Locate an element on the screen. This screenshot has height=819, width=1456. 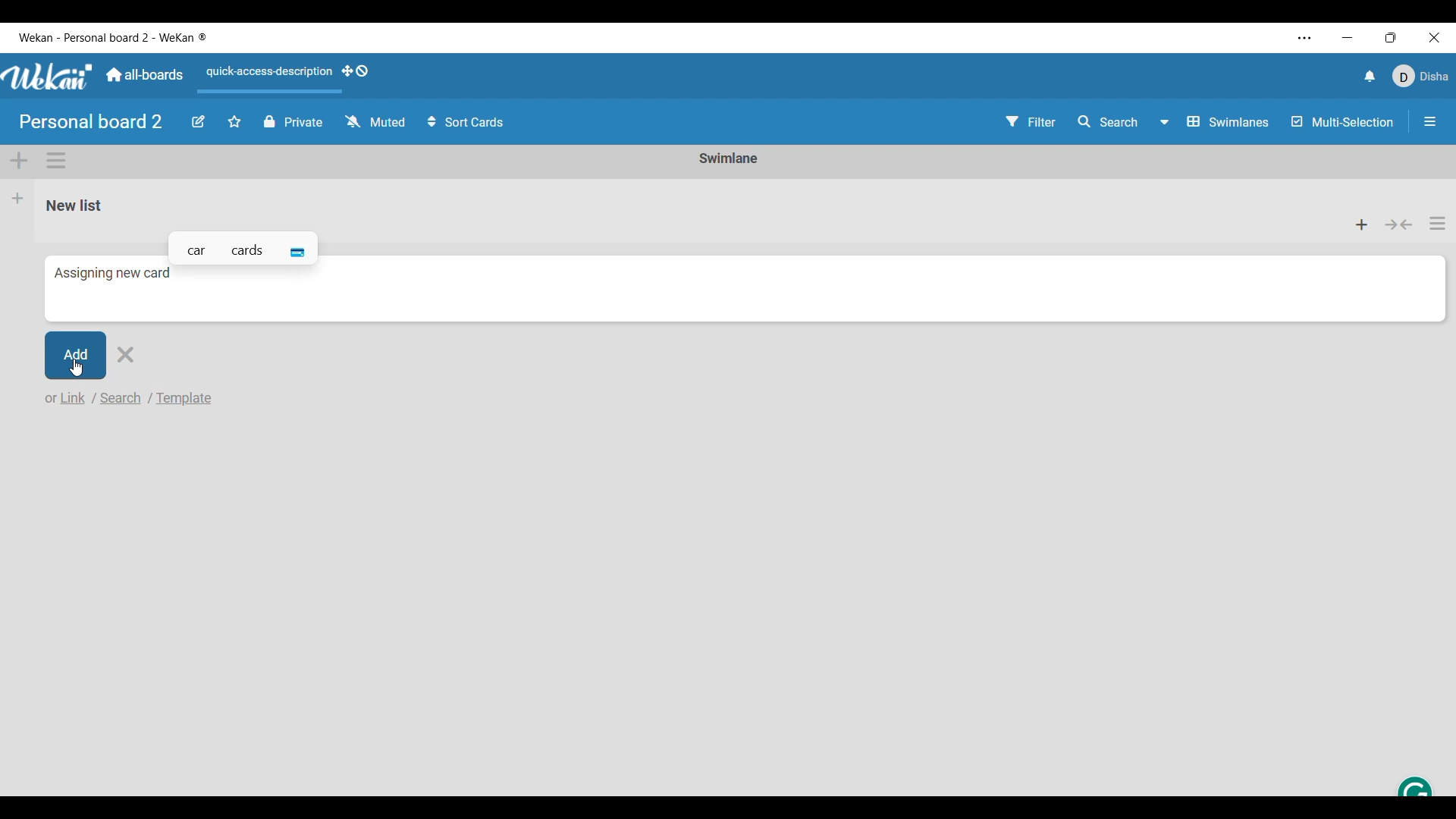
Toggle for Multi-selection is located at coordinates (1343, 121).